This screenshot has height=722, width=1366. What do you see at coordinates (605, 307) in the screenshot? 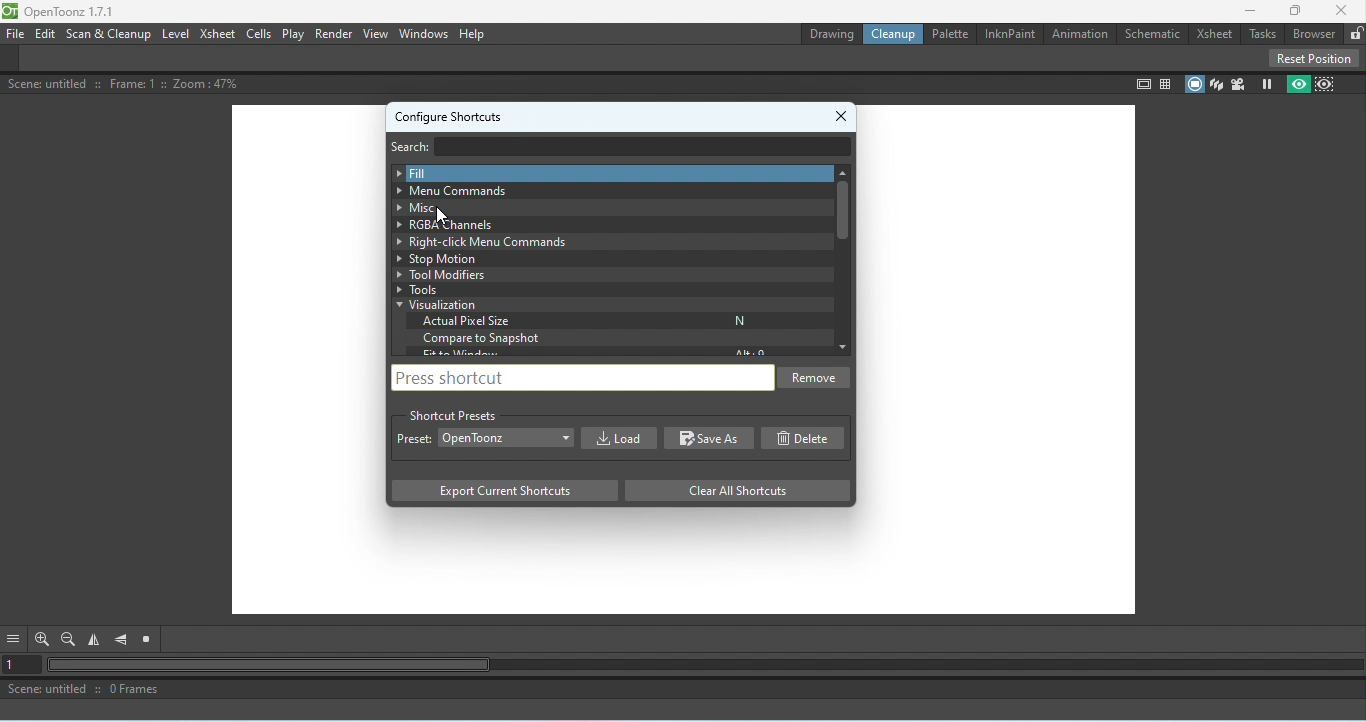
I see `Visualization` at bounding box center [605, 307].